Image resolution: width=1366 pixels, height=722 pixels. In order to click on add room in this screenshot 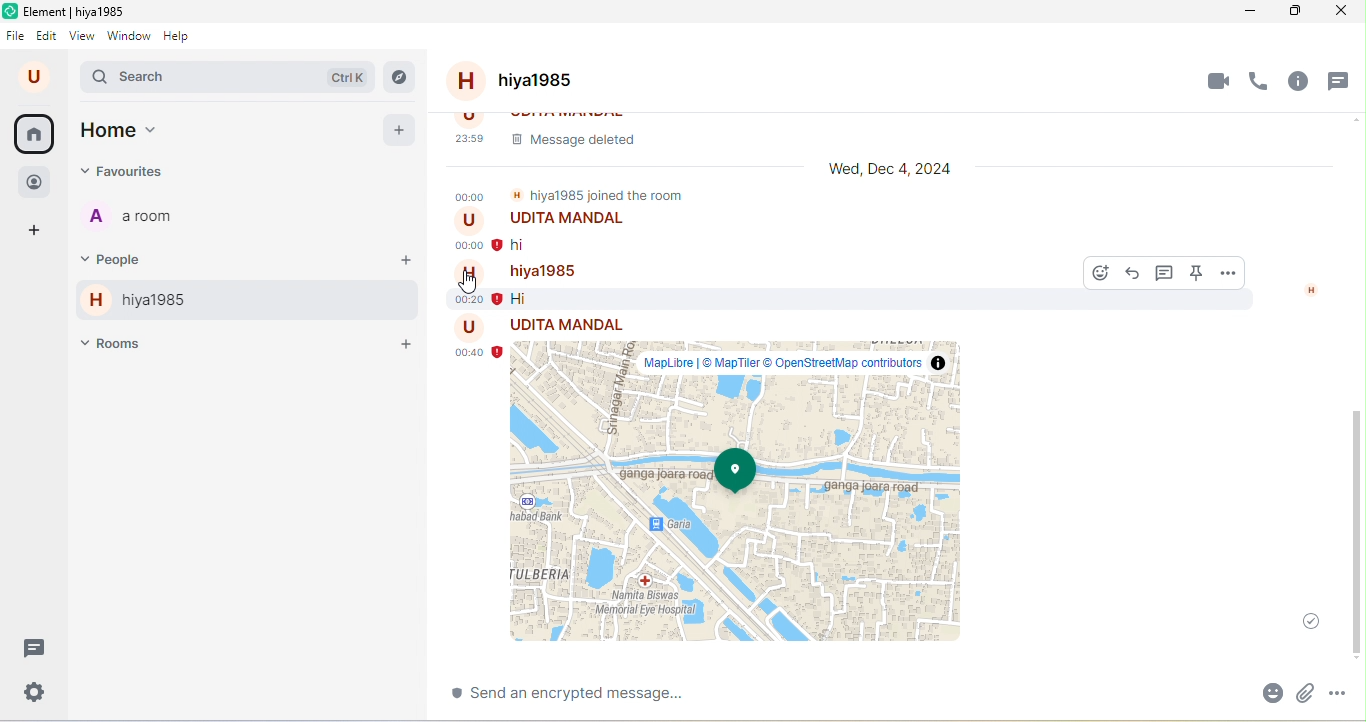, I will do `click(403, 343)`.